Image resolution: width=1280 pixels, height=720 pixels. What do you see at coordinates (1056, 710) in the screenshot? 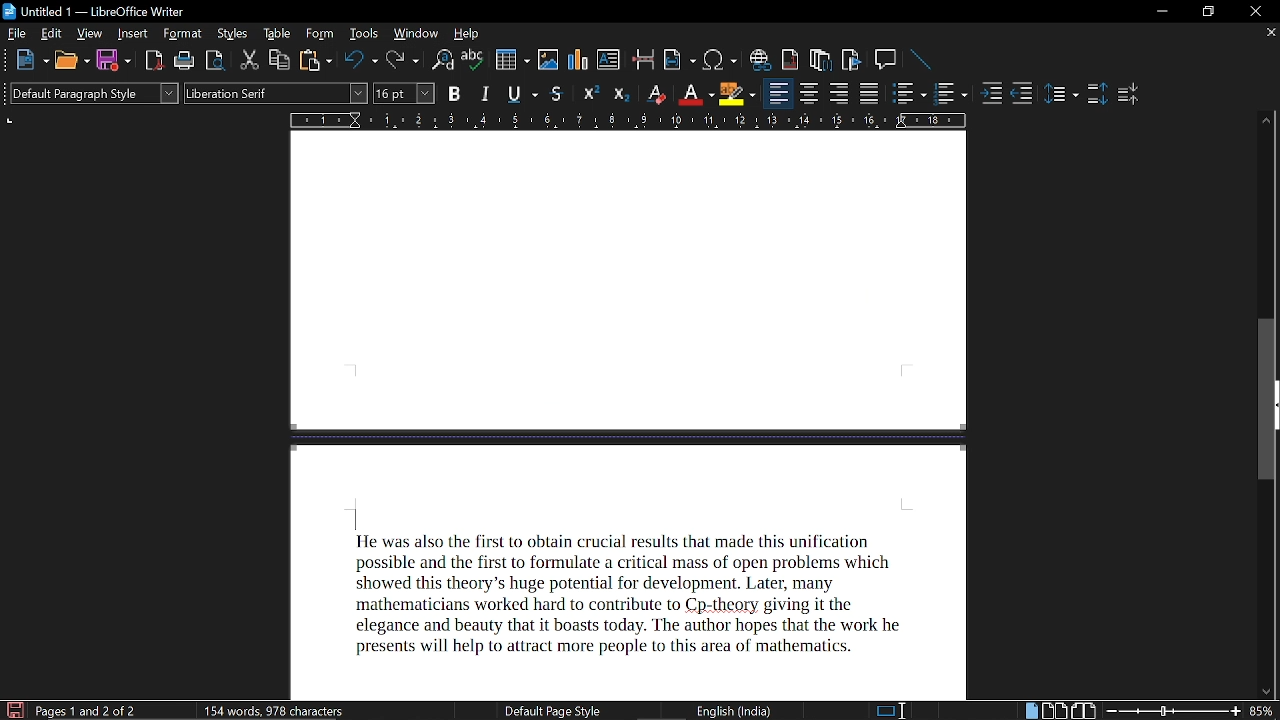
I see `Double page view` at bounding box center [1056, 710].